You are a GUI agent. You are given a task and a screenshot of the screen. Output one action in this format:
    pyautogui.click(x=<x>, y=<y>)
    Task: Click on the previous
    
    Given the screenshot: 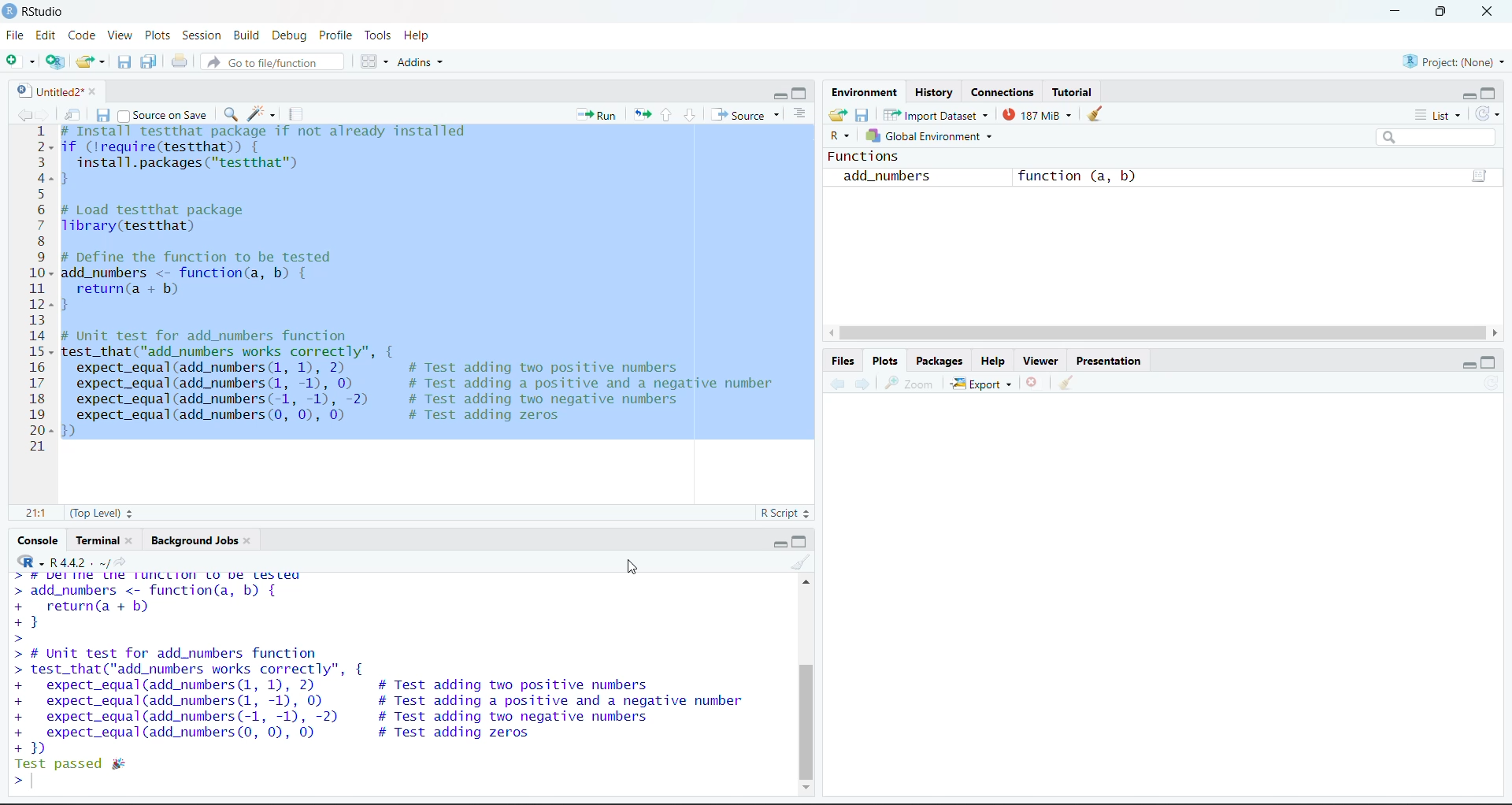 What is the action you would take?
    pyautogui.click(x=836, y=383)
    